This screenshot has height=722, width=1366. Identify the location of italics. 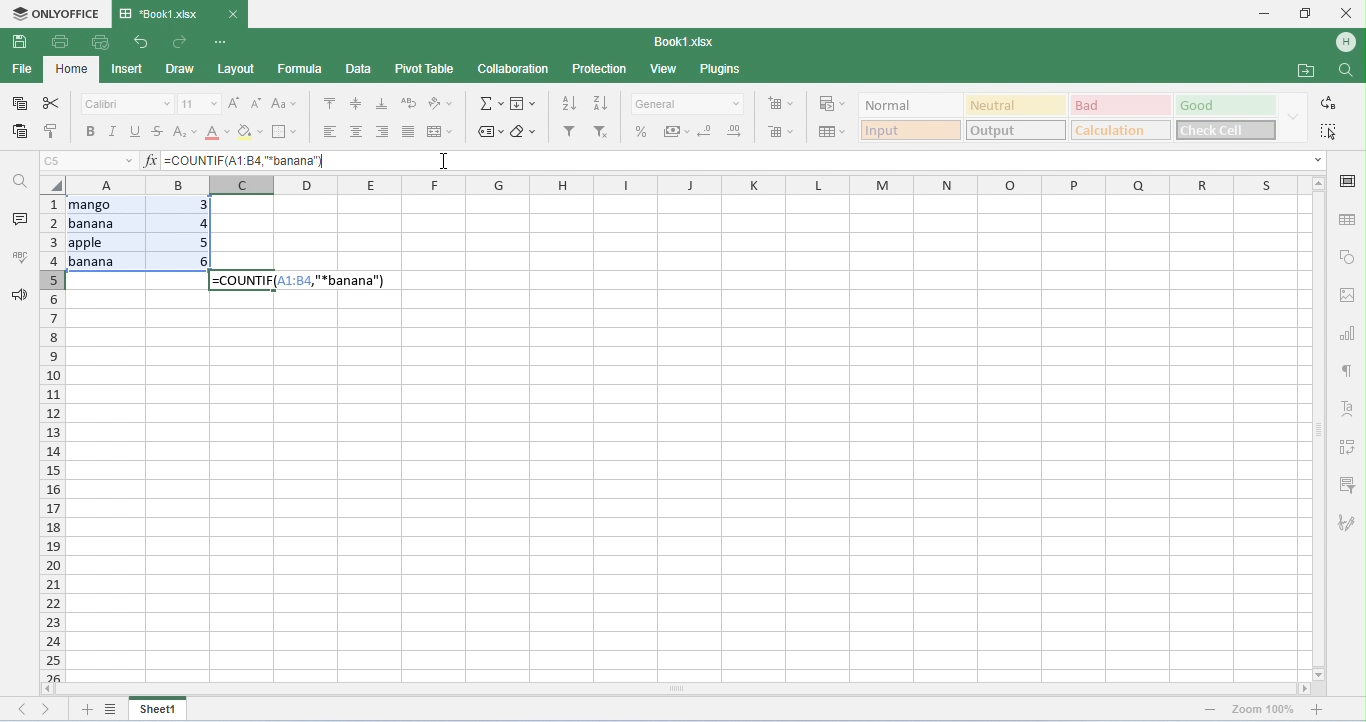
(111, 132).